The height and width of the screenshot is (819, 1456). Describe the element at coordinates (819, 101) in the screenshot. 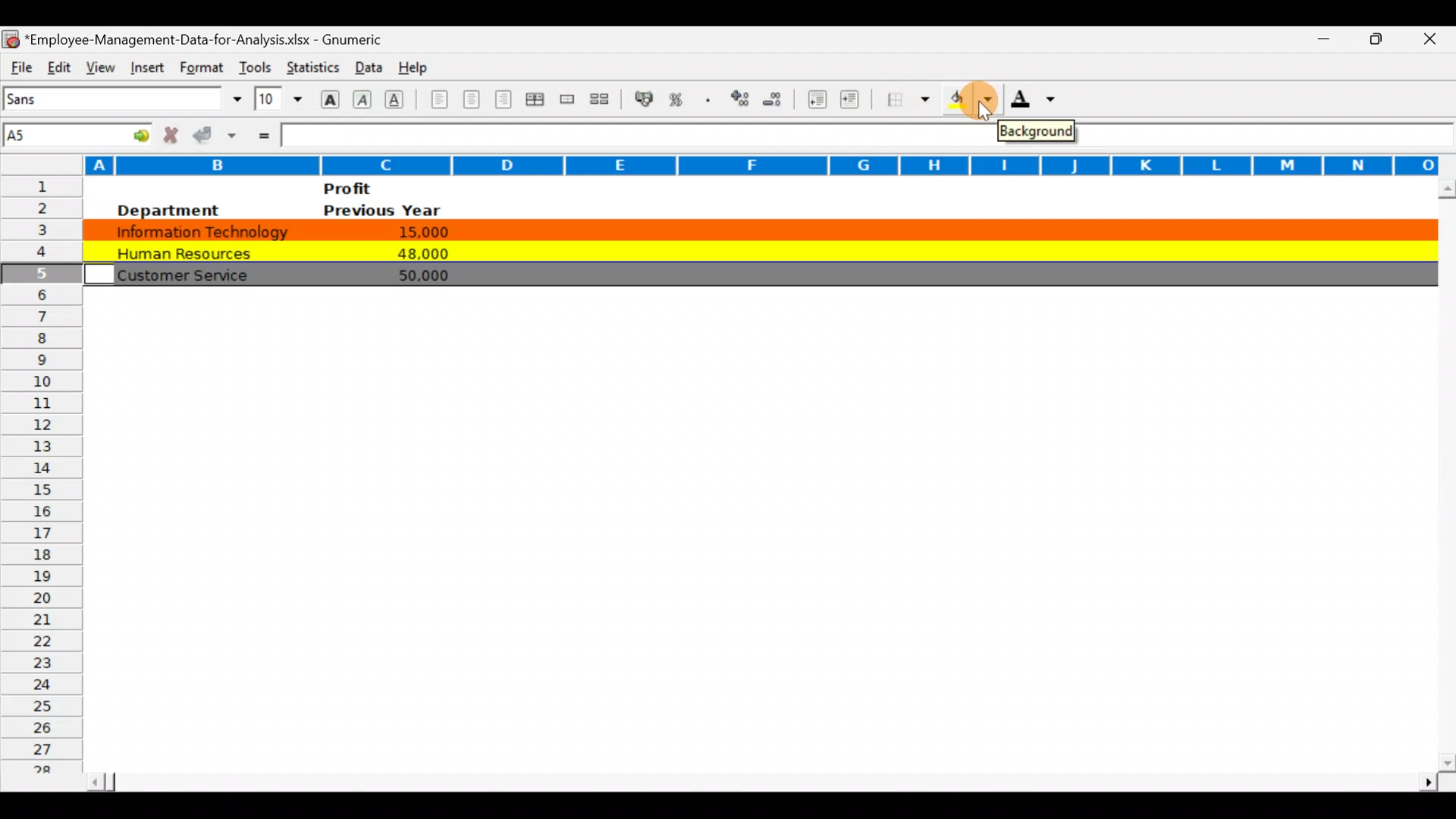

I see `Decrease indent, align contents to the left` at that location.